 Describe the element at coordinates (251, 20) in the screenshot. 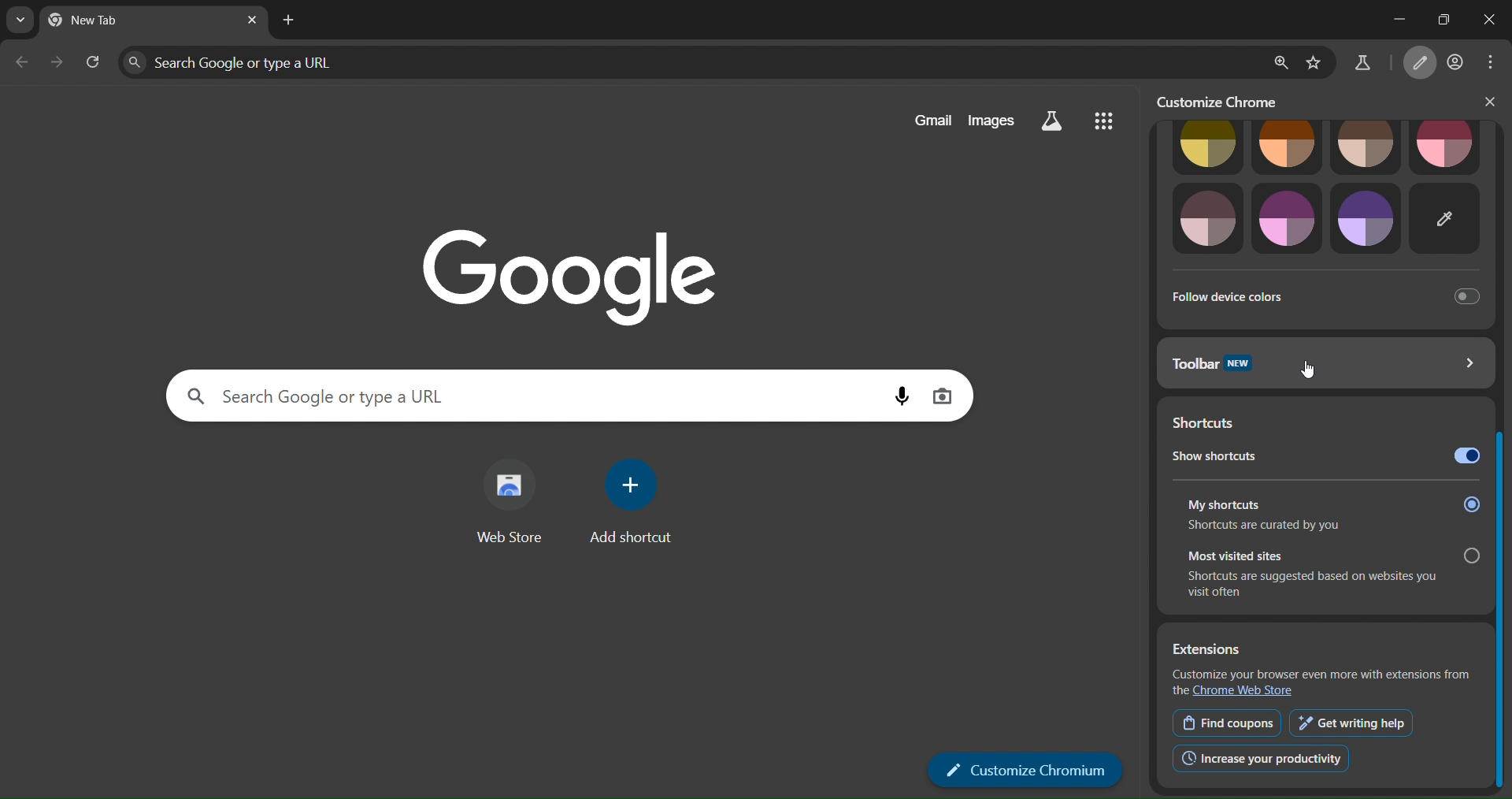

I see `close tab` at that location.